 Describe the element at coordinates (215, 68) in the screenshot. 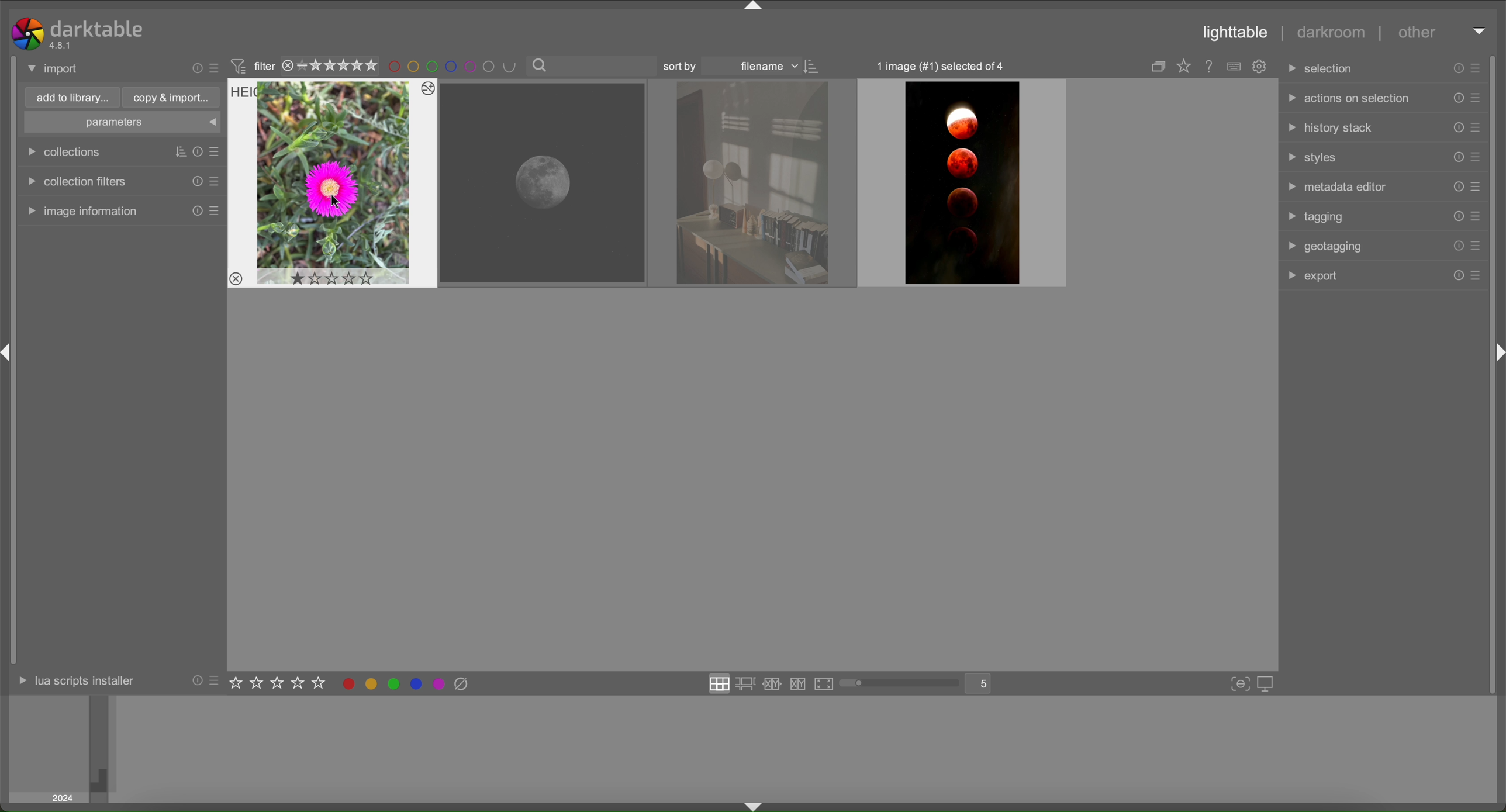

I see `presets` at that location.